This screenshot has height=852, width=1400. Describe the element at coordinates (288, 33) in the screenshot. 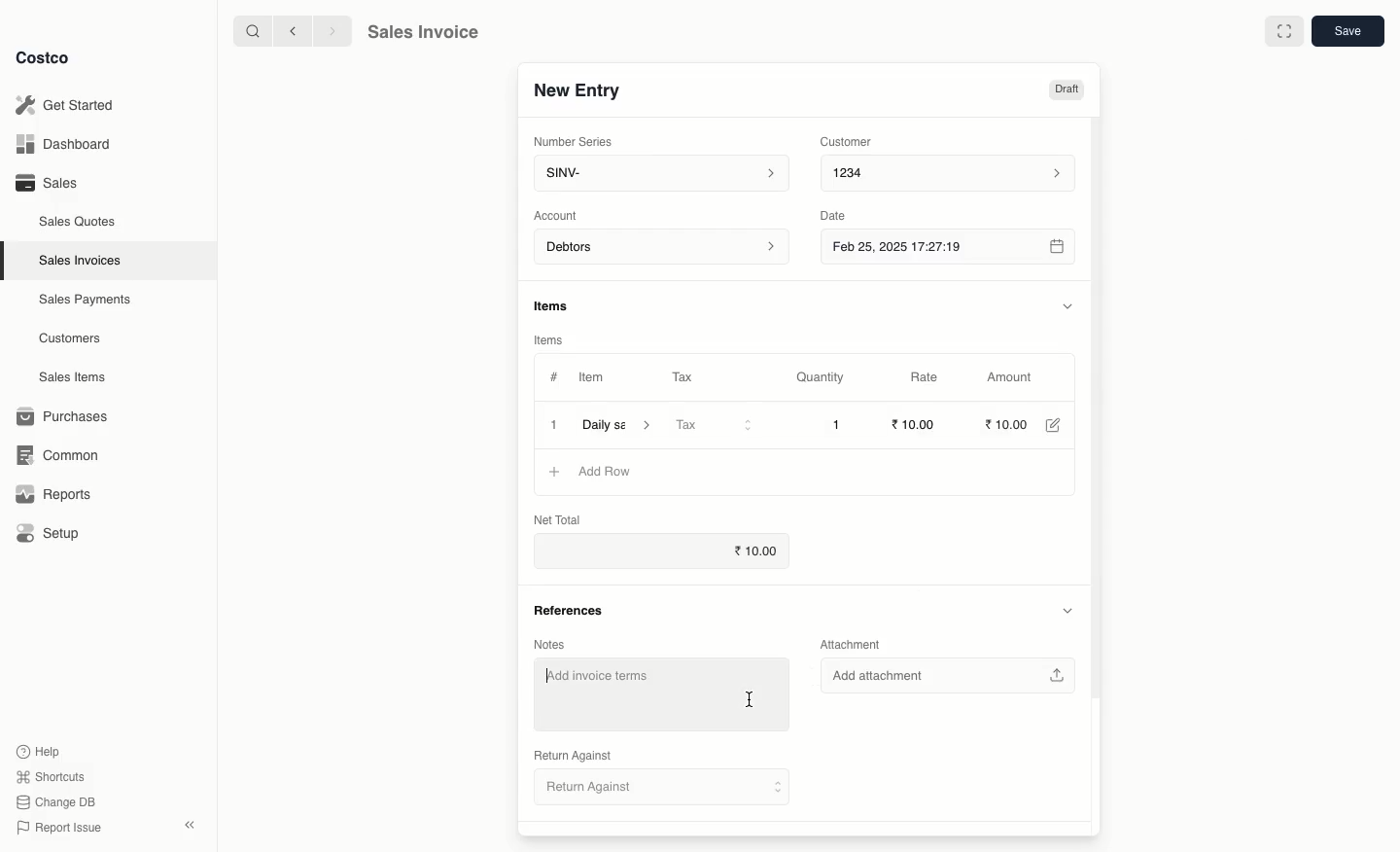

I see `Back` at that location.